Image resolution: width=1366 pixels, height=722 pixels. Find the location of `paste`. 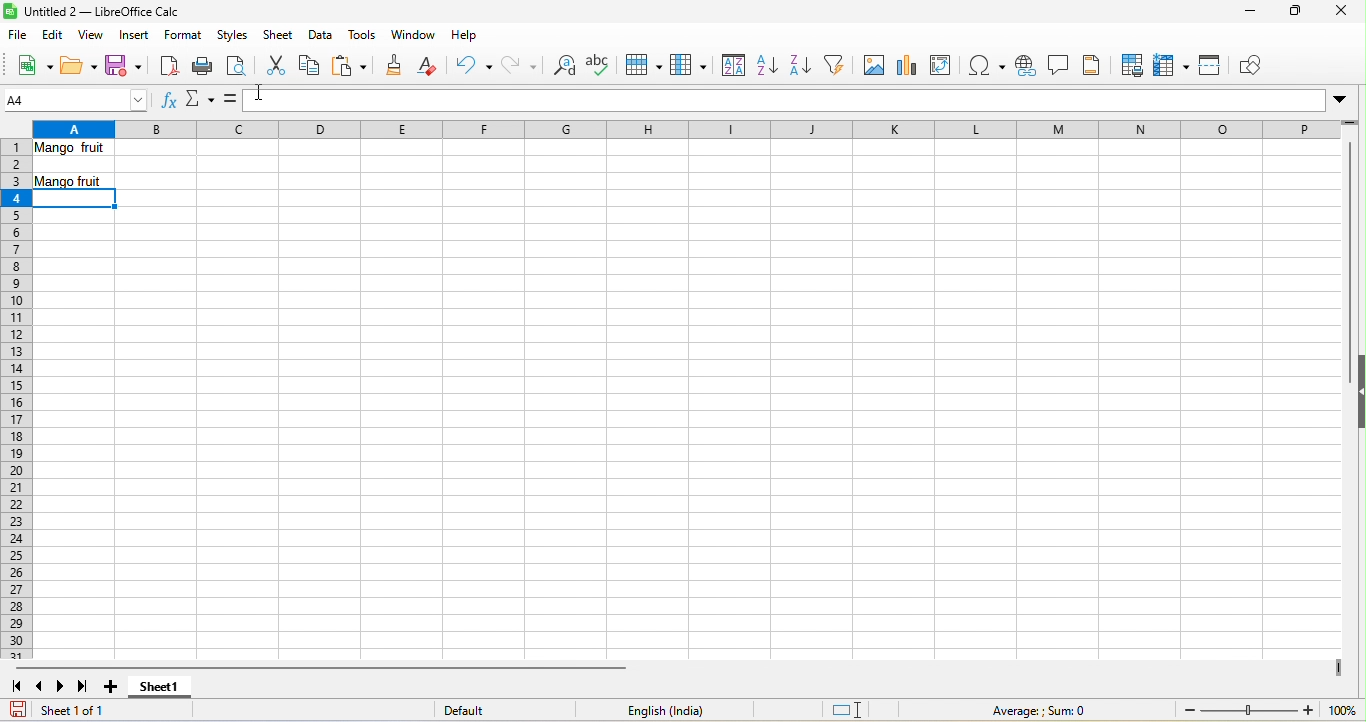

paste is located at coordinates (350, 67).